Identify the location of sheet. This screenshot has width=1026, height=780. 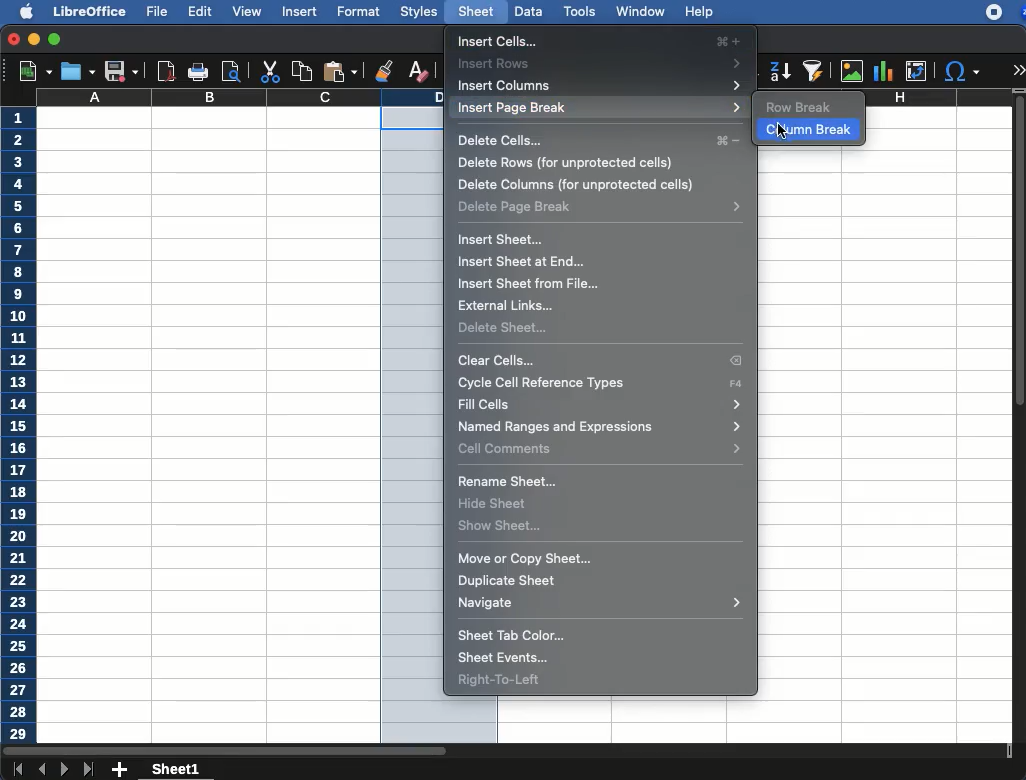
(475, 12).